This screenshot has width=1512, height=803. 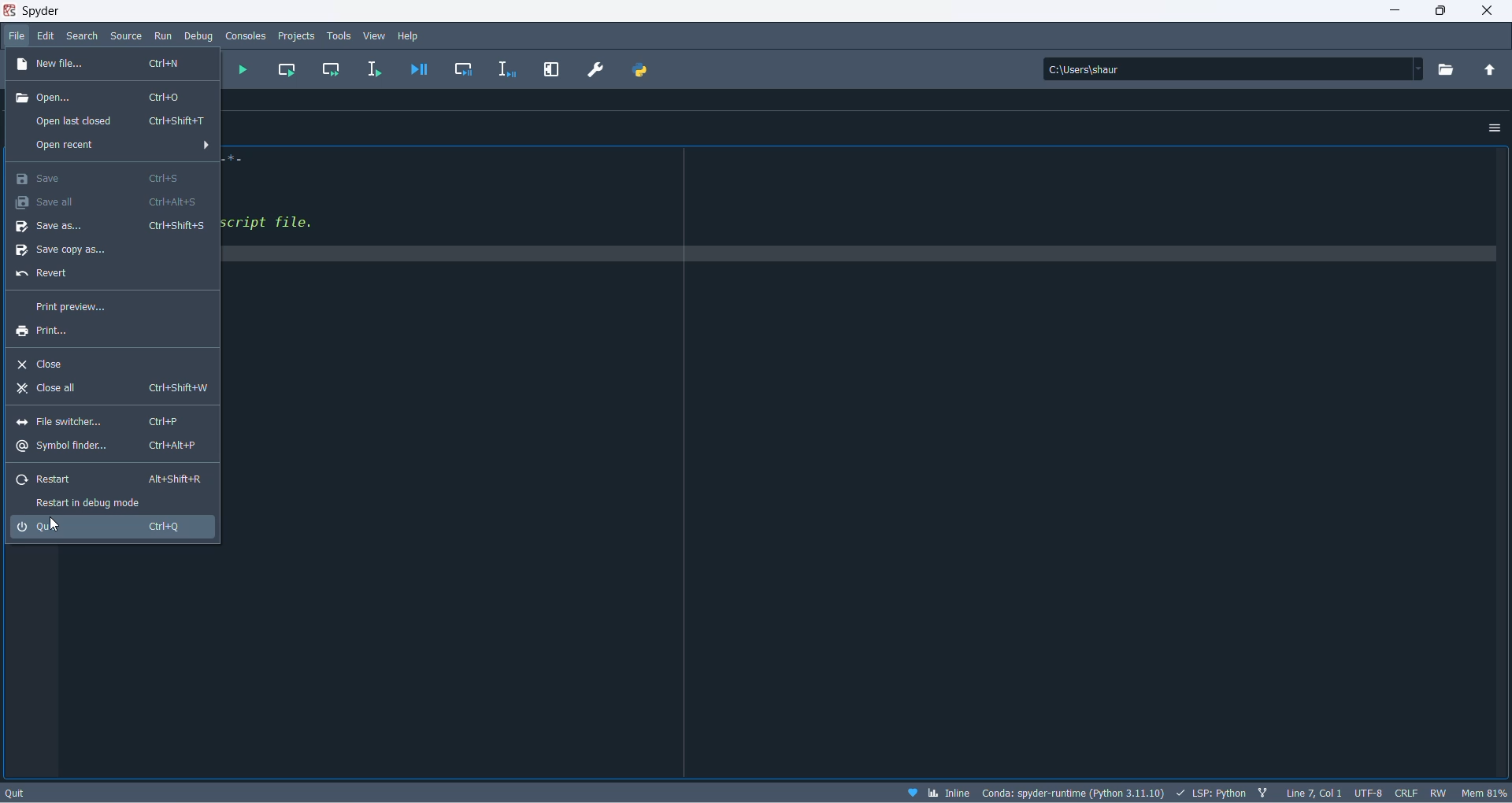 I want to click on PYTHONPATH MANAGER, so click(x=643, y=72).